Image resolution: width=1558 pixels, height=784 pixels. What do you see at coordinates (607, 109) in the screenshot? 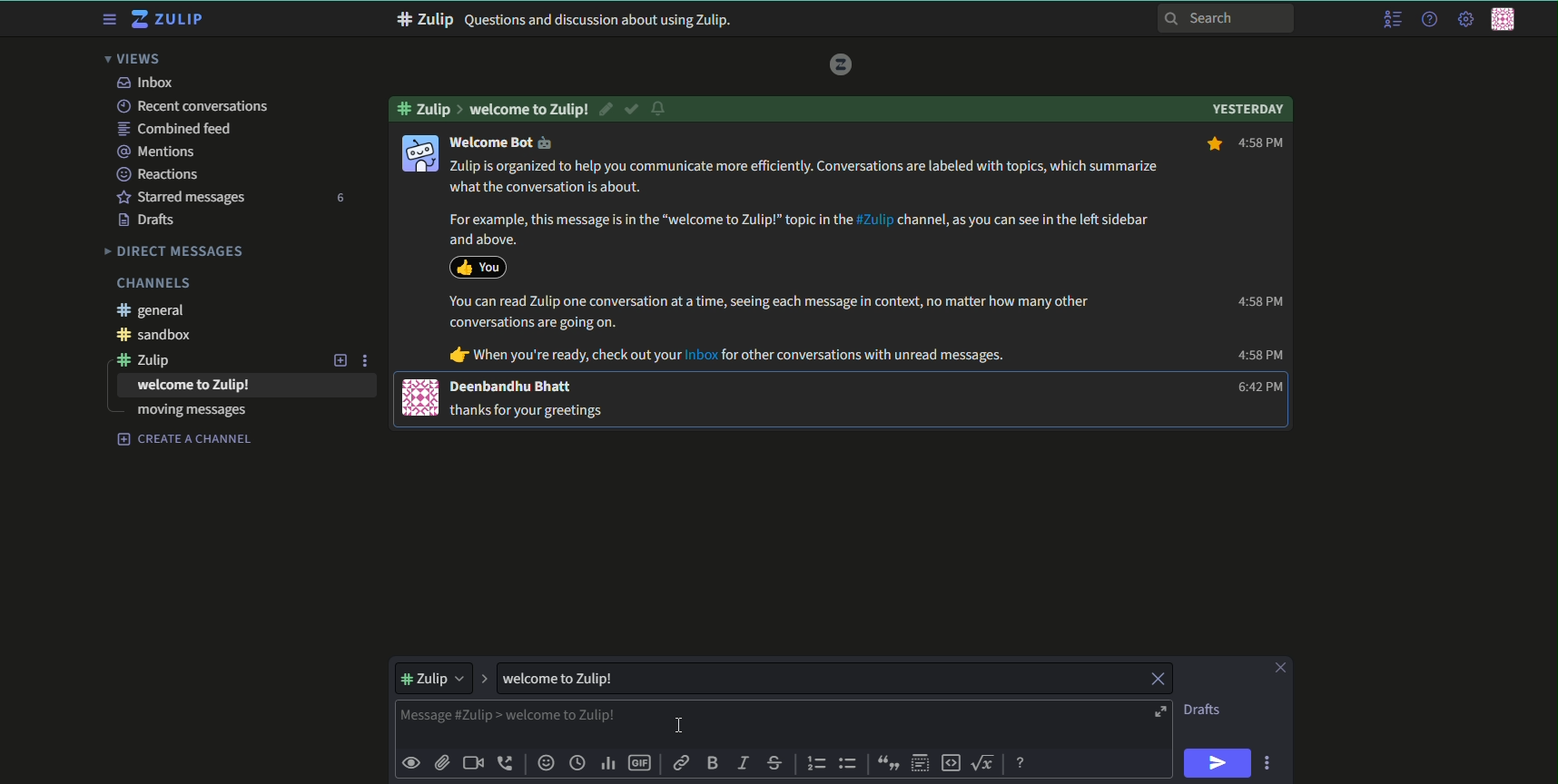
I see `edit` at bounding box center [607, 109].